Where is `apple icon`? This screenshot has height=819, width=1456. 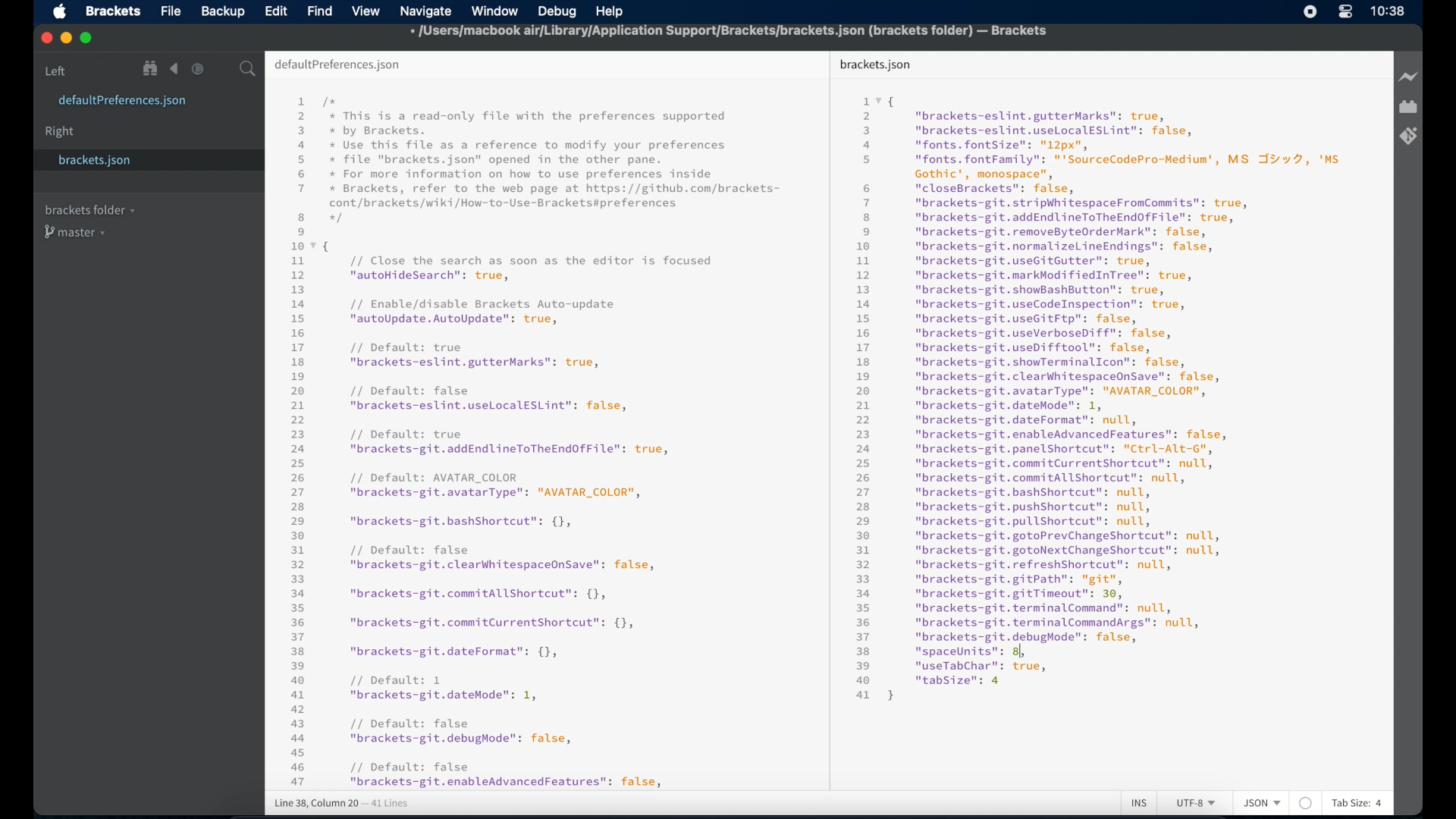 apple icon is located at coordinates (61, 12).